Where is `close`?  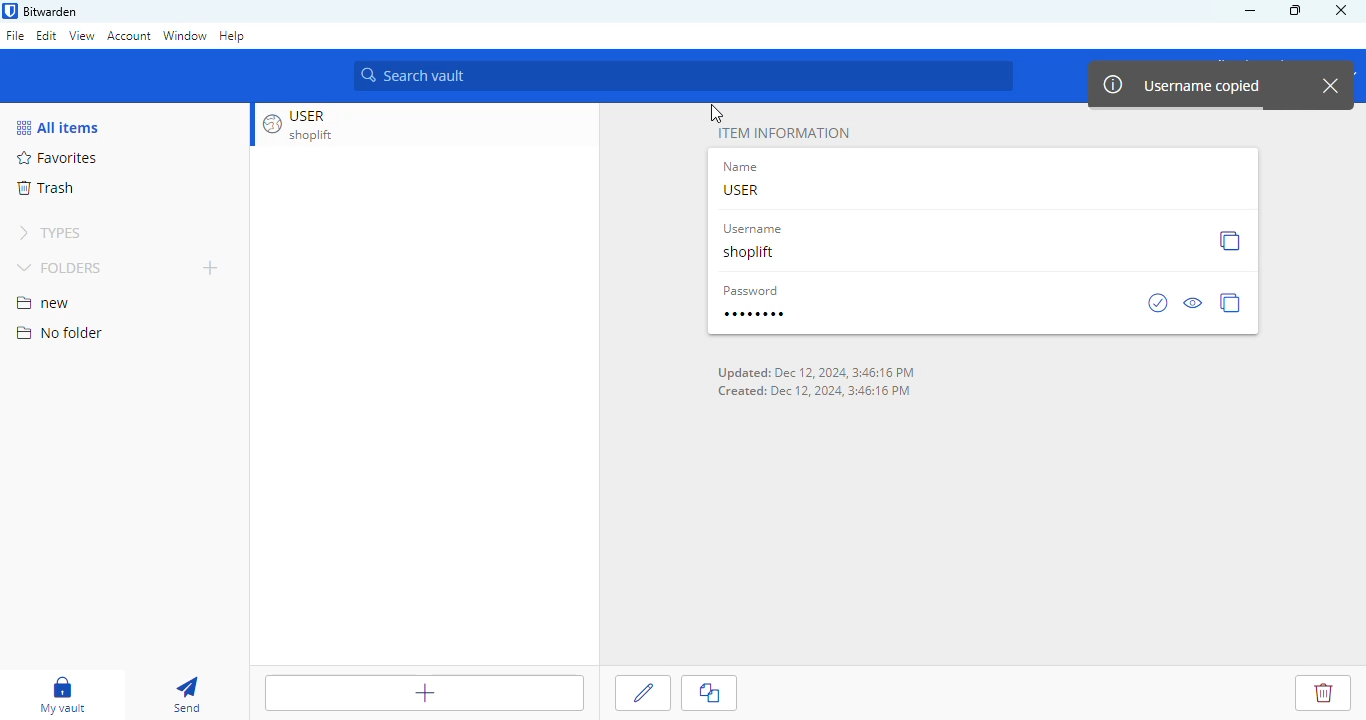 close is located at coordinates (1334, 87).